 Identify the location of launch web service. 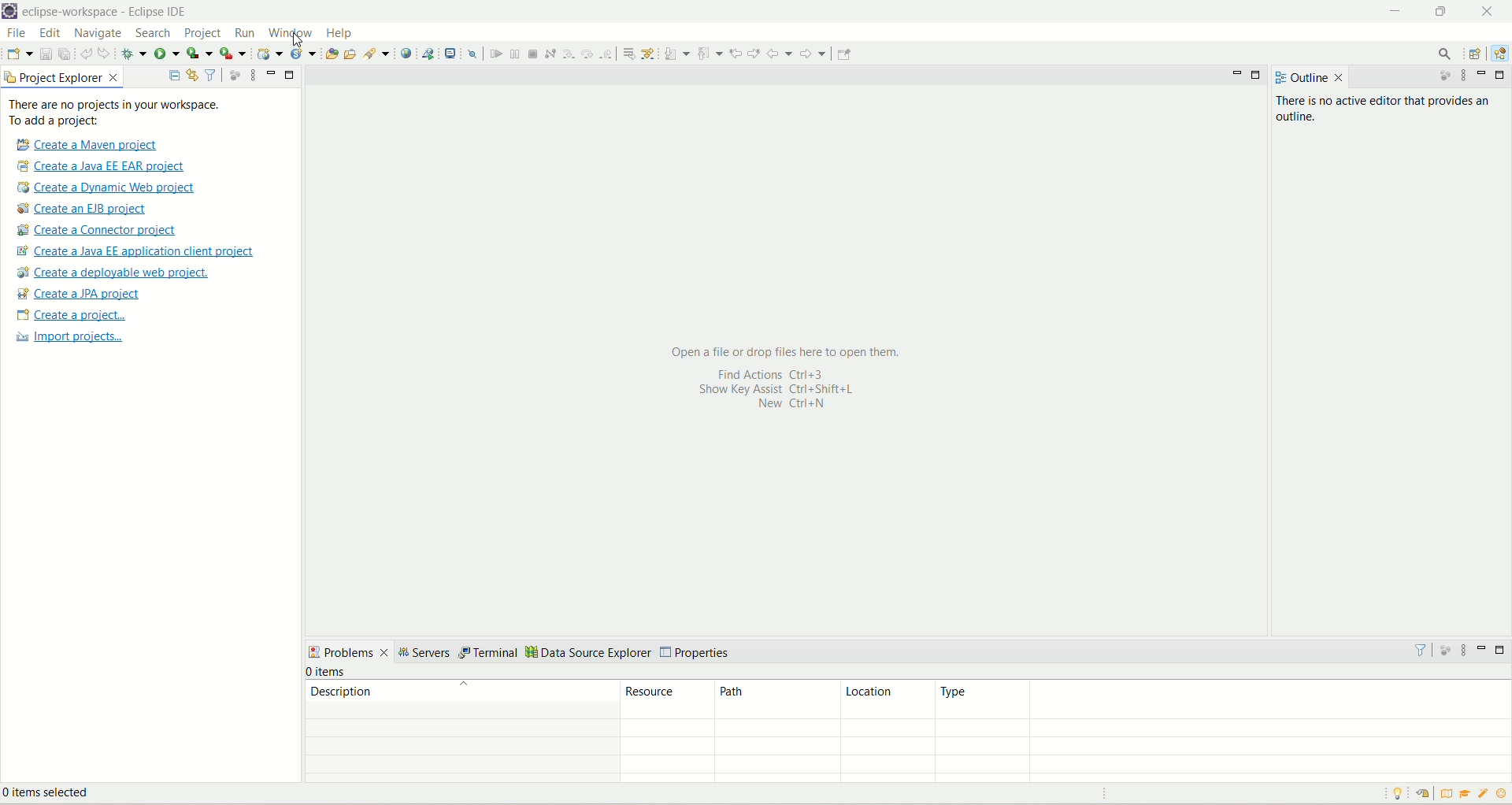
(428, 53).